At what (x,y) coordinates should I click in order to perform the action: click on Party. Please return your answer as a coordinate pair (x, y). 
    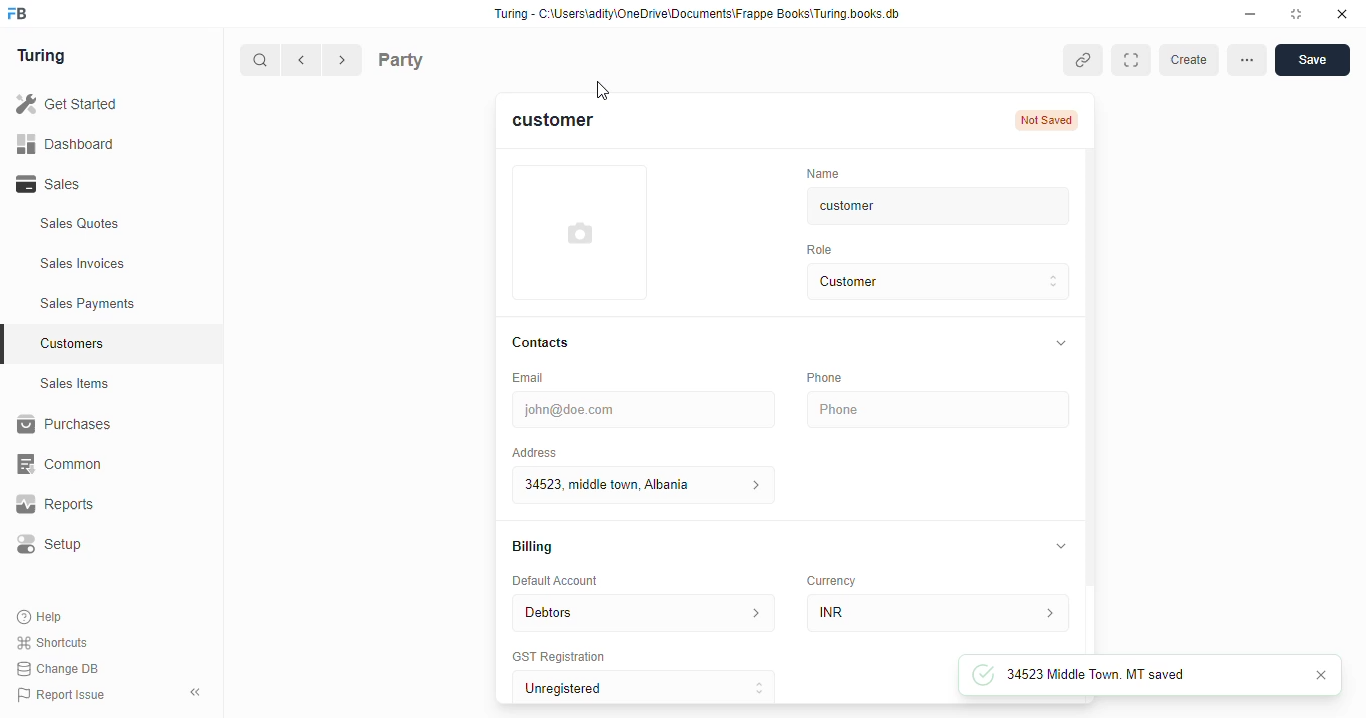
    Looking at the image, I should click on (442, 58).